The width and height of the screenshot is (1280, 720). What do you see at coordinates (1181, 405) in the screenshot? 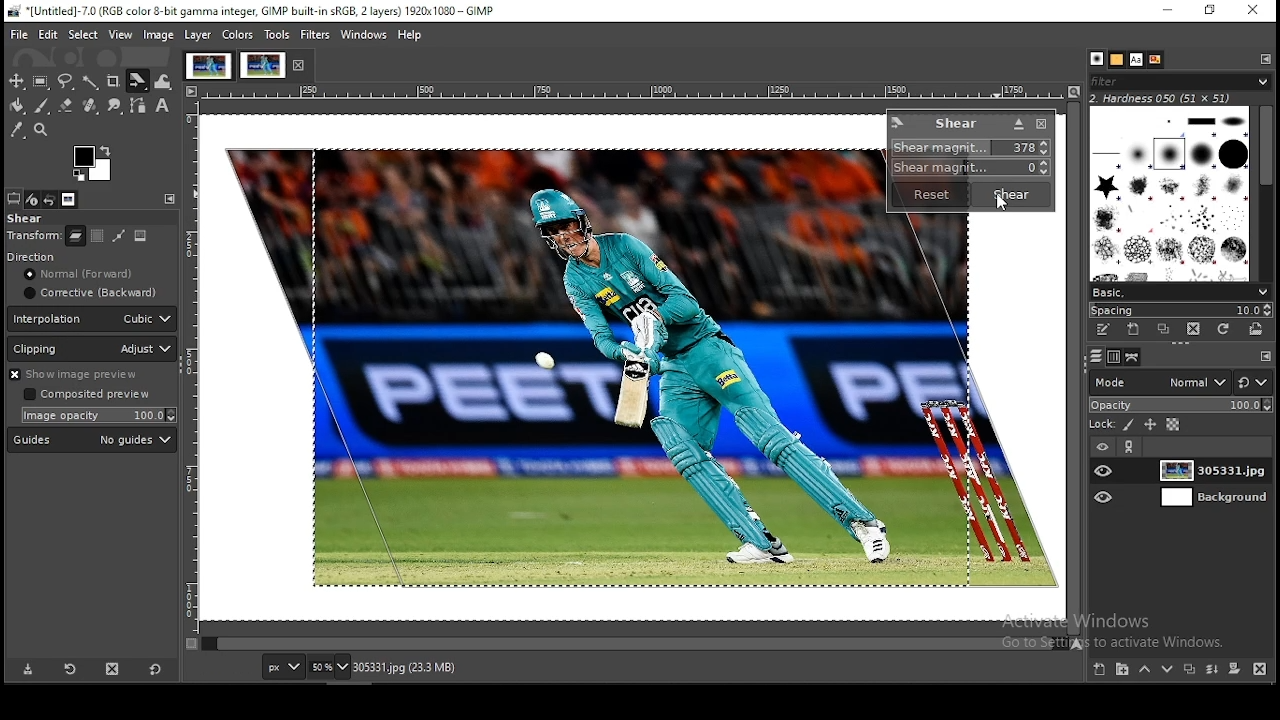
I see `opacity` at bounding box center [1181, 405].